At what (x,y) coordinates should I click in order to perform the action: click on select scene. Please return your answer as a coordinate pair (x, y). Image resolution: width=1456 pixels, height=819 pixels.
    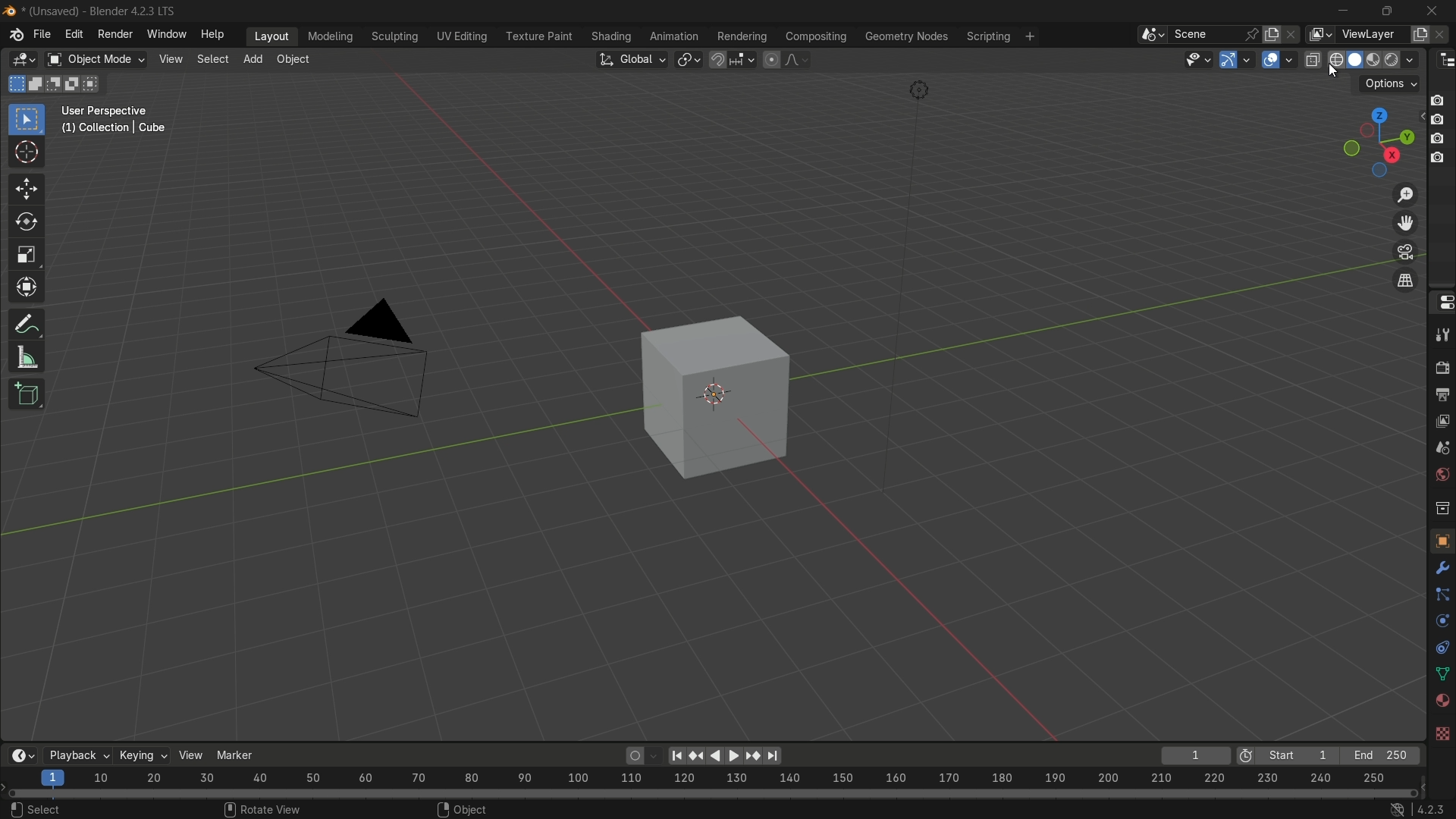
    Looking at the image, I should click on (1195, 35).